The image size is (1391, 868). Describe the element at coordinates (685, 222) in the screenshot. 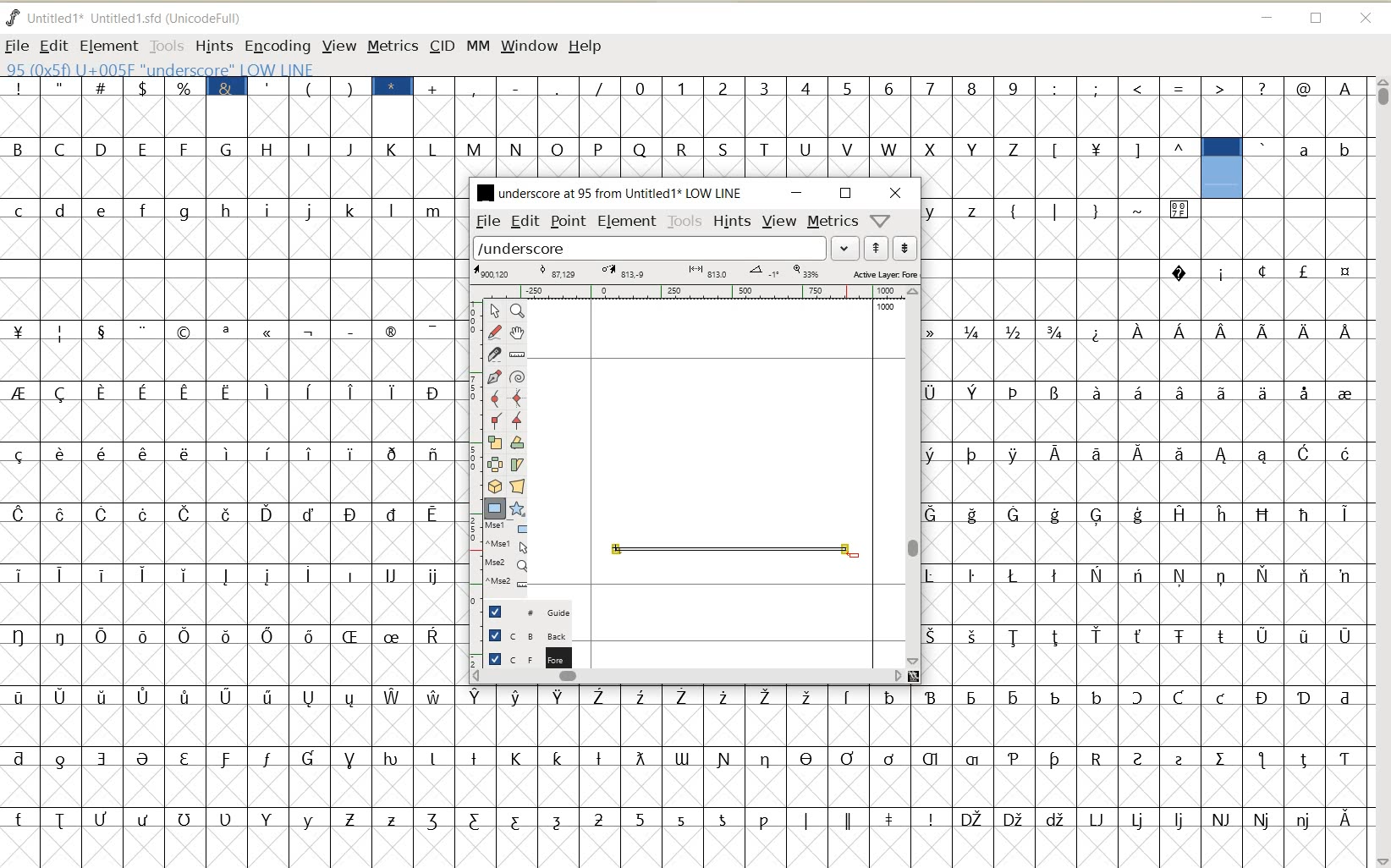

I see `TOOLS` at that location.